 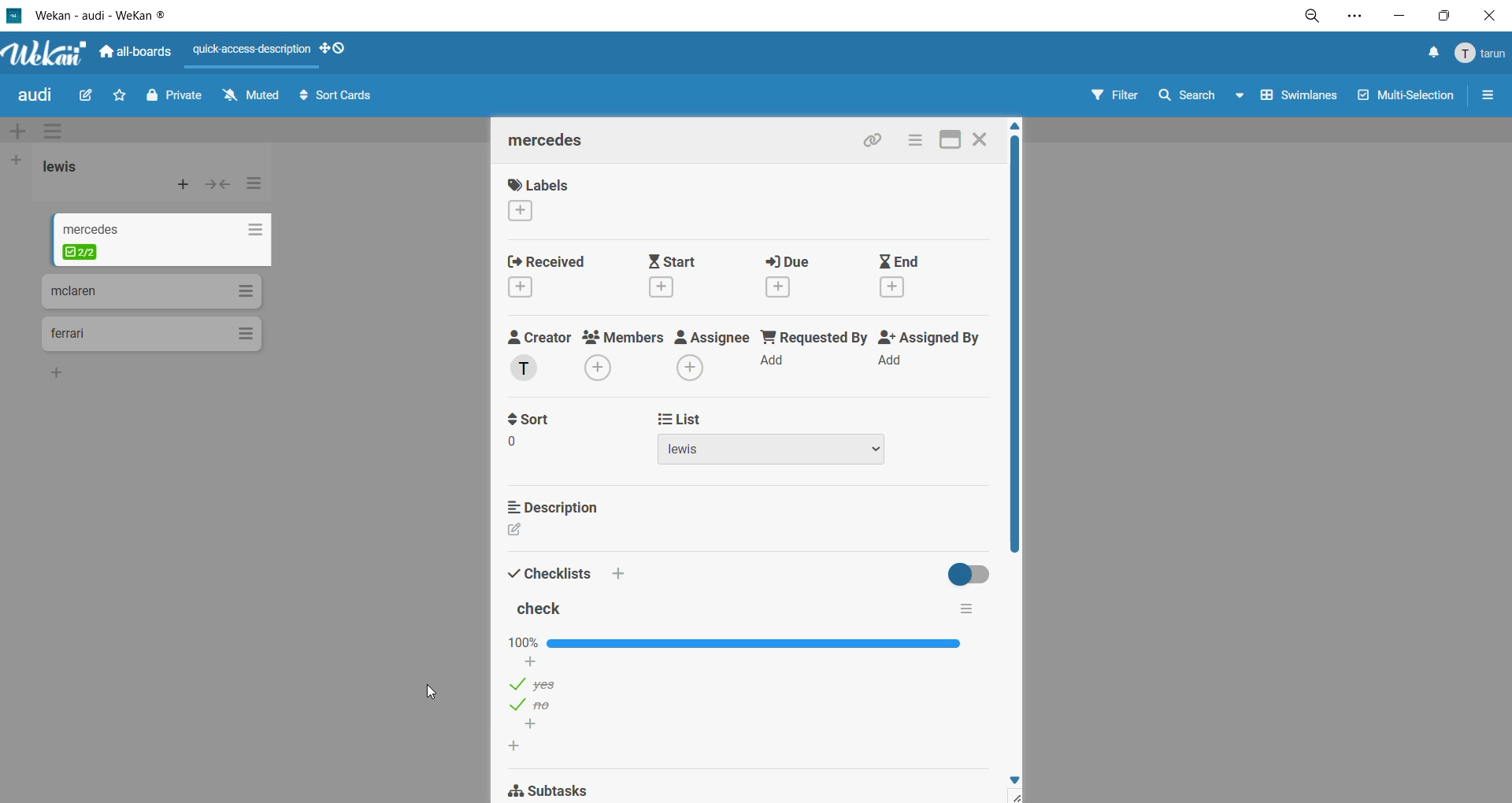 I want to click on creator, so click(x=541, y=354).